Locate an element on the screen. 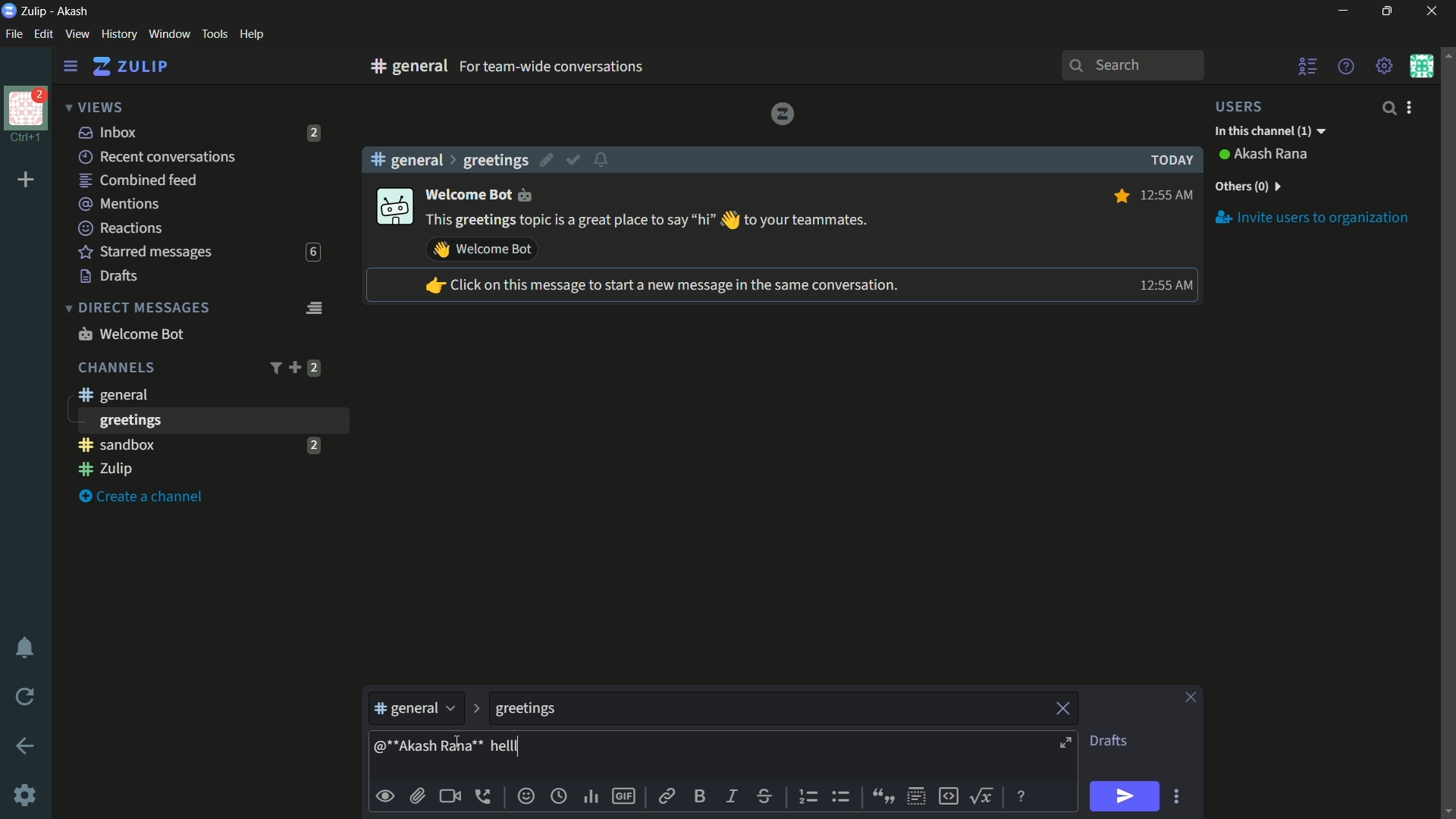  welcome bot is located at coordinates (485, 193).